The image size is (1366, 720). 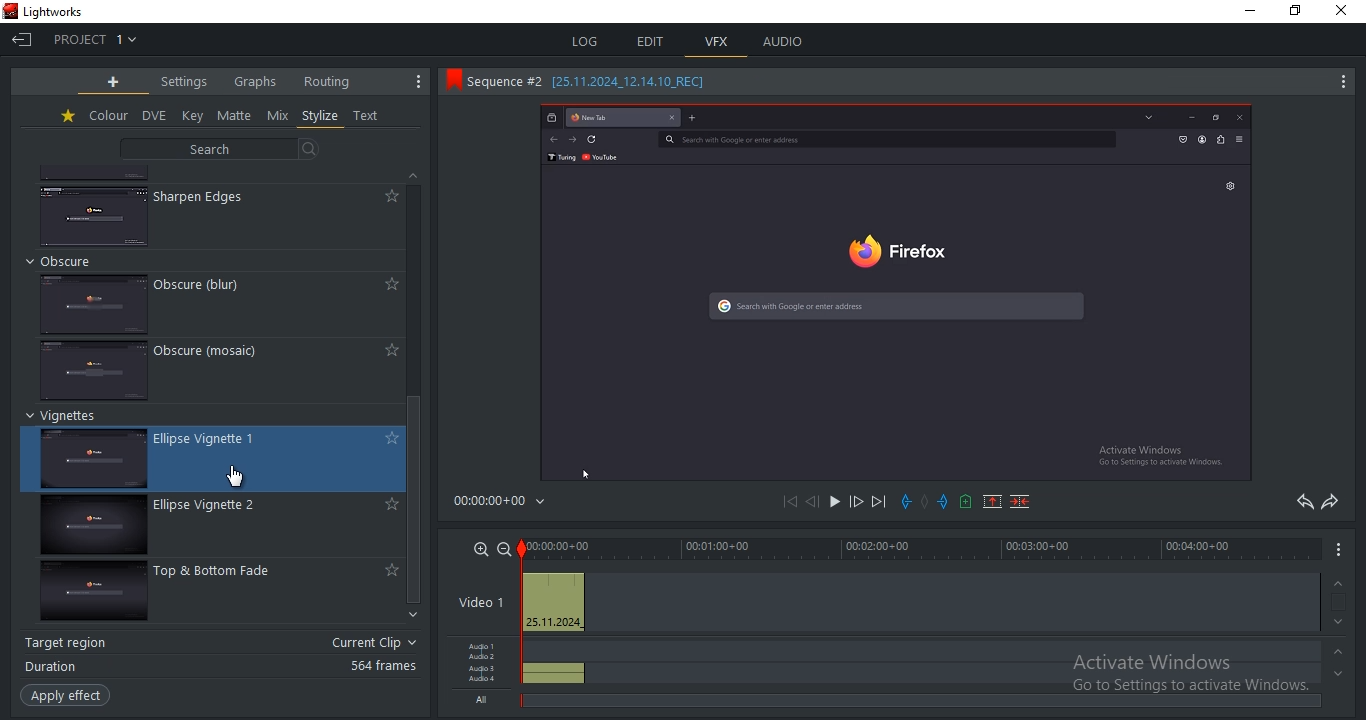 What do you see at coordinates (1339, 556) in the screenshot?
I see `Show settings menu` at bounding box center [1339, 556].